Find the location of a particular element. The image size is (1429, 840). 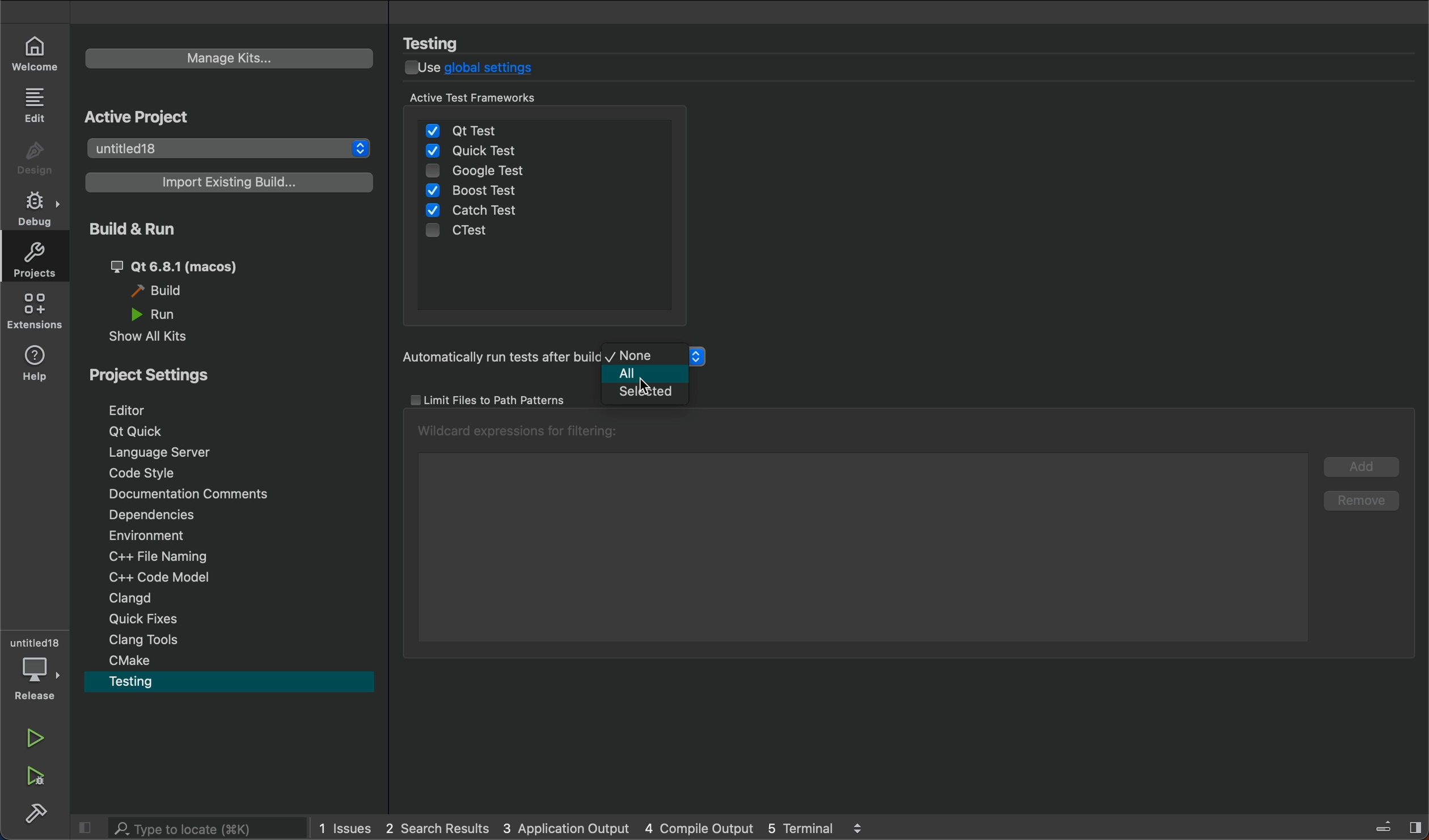

logs is located at coordinates (602, 830).